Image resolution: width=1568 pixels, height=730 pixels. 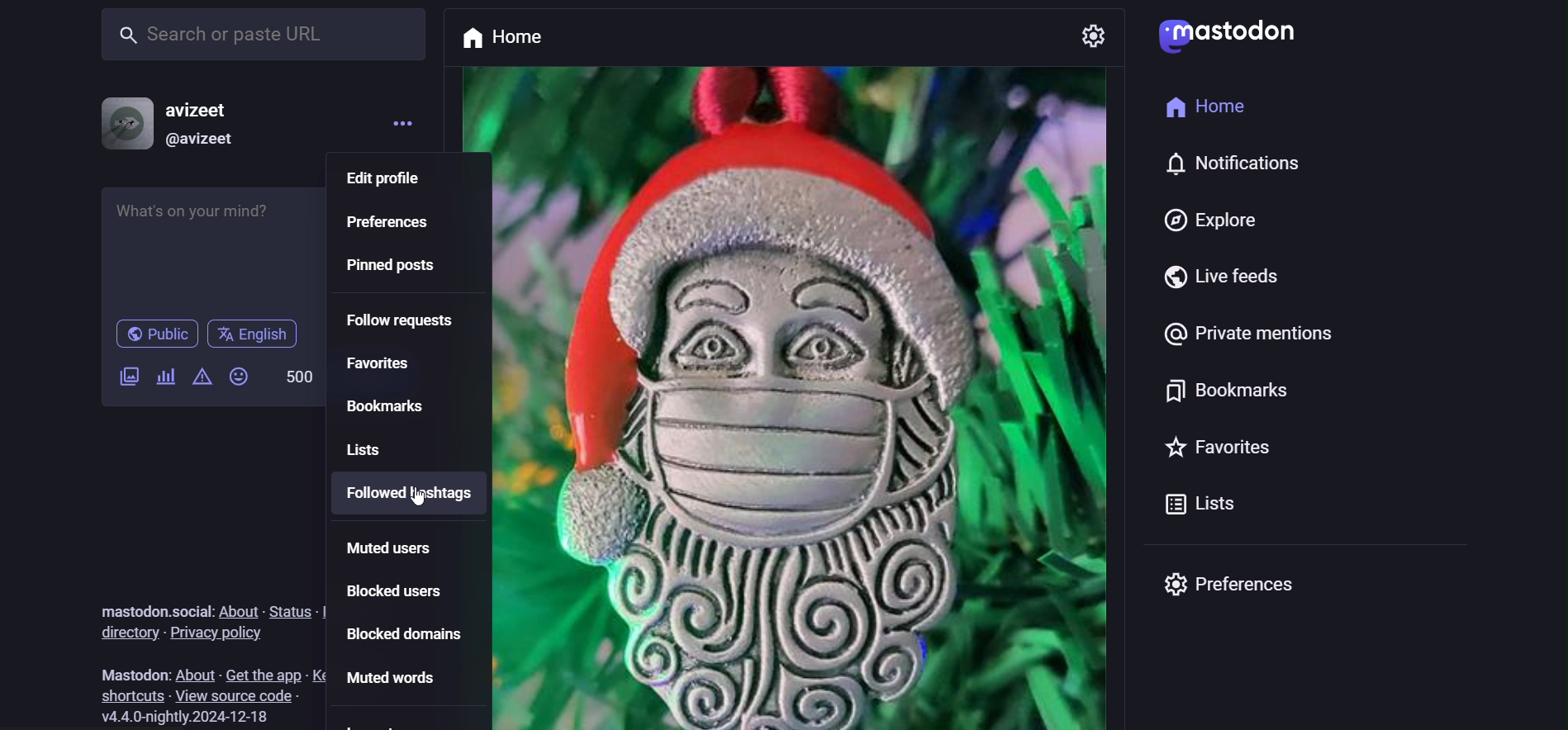 What do you see at coordinates (222, 111) in the screenshot?
I see `avizeet` at bounding box center [222, 111].